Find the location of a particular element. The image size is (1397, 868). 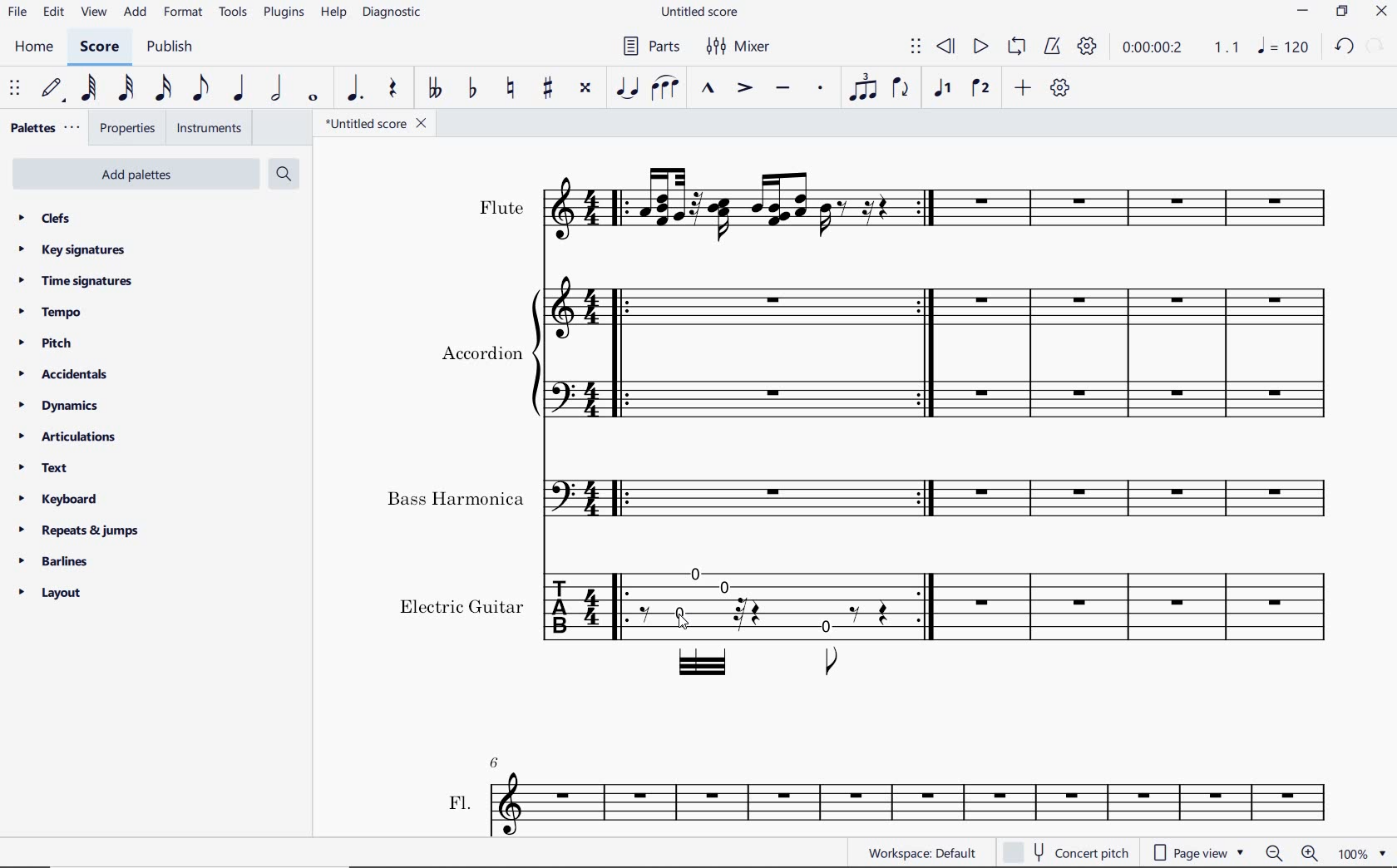

cursor is located at coordinates (685, 624).